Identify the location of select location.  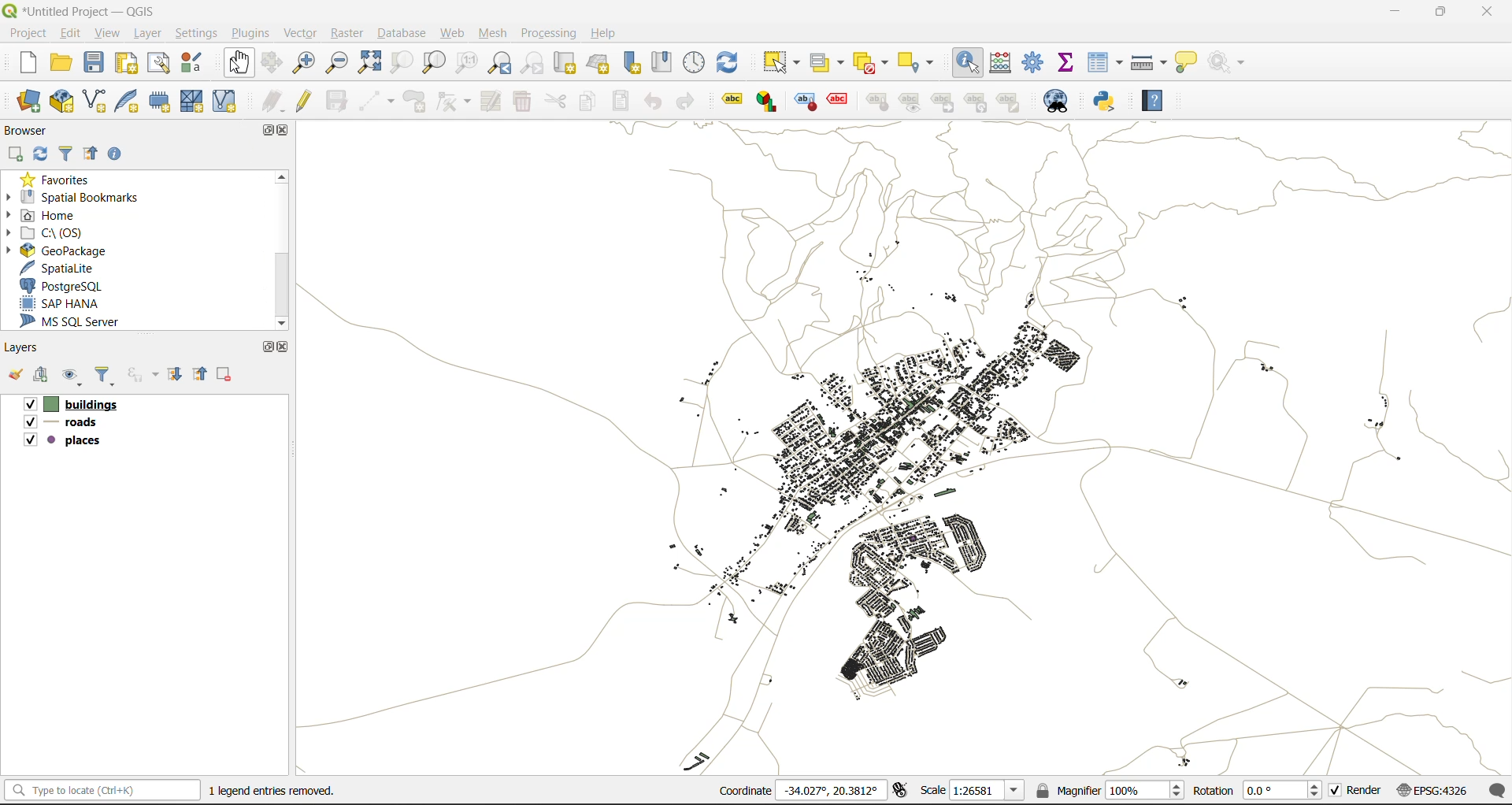
(925, 63).